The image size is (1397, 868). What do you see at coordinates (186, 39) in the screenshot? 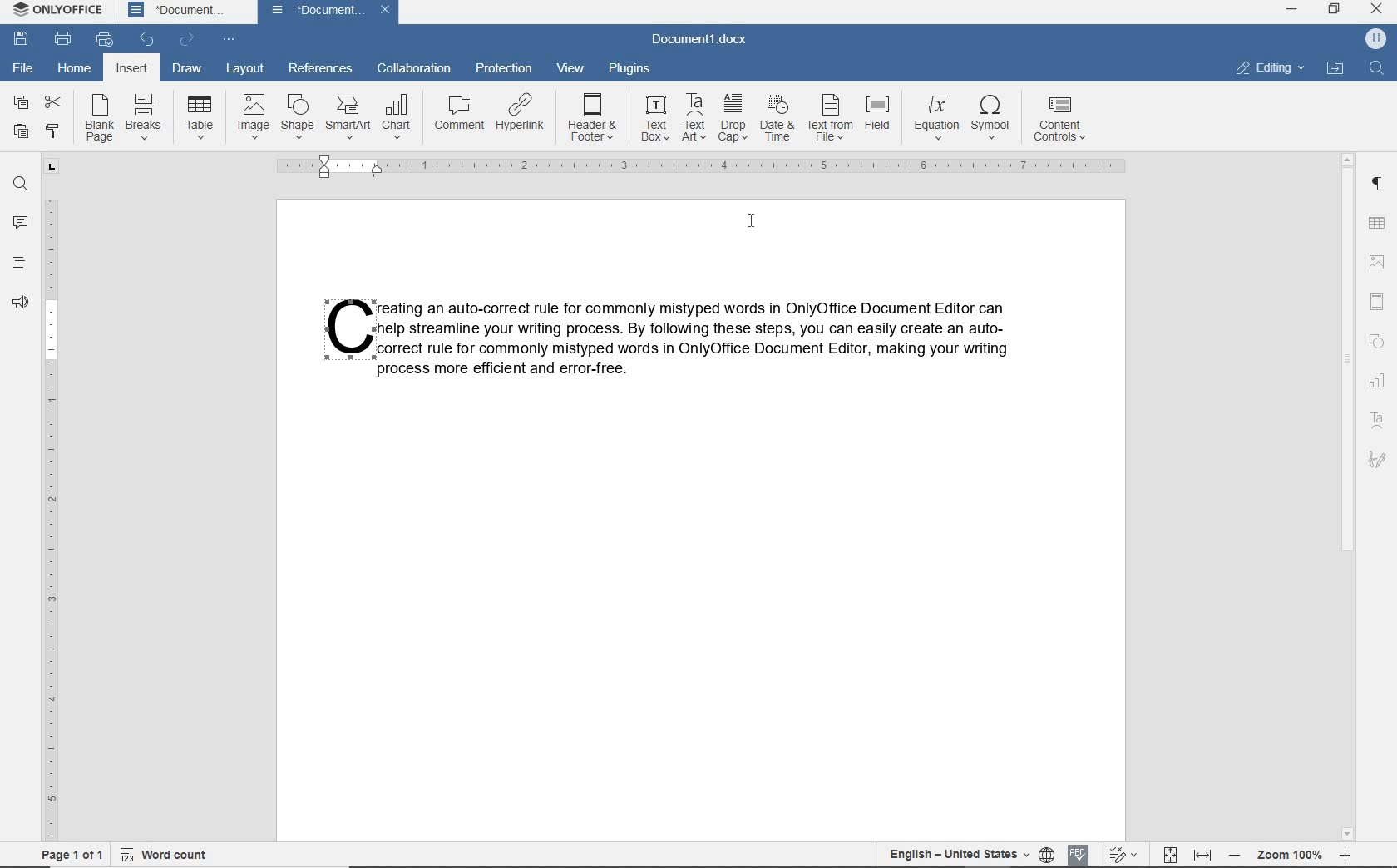
I see `redo` at bounding box center [186, 39].